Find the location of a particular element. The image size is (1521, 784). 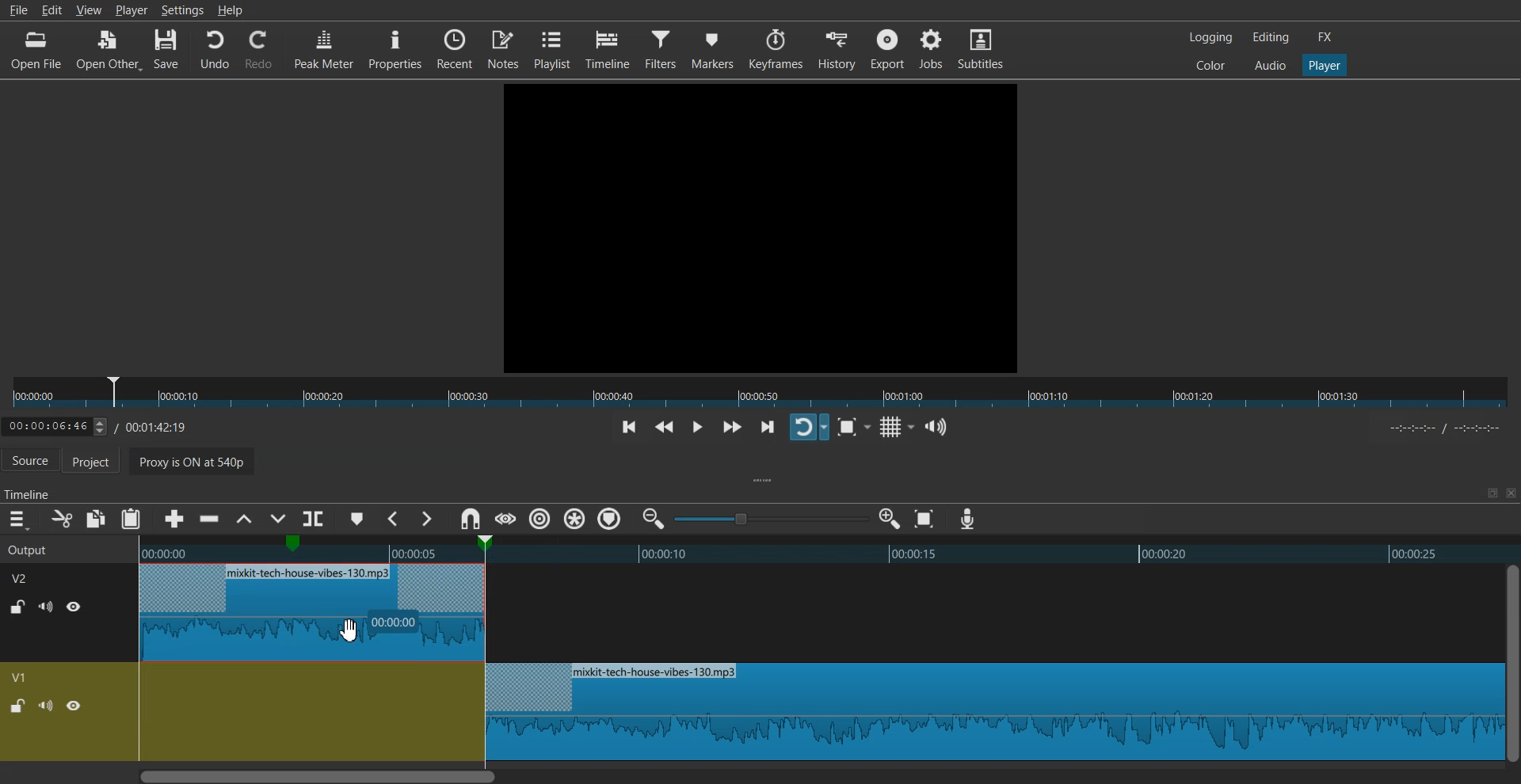

Blank timeline is located at coordinates (818, 710).